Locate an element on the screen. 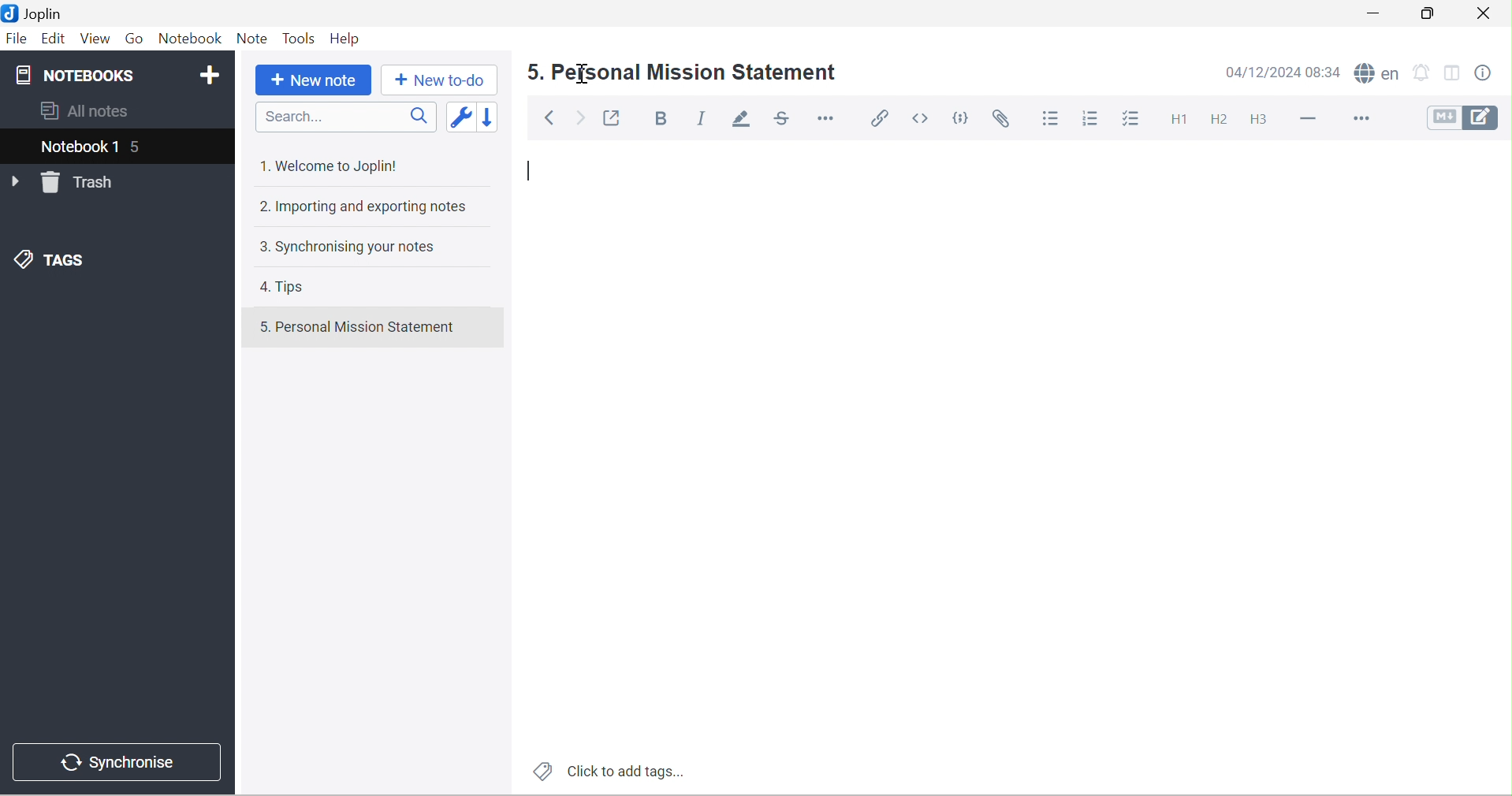 This screenshot has height=796, width=1512. Toggle sort order field is located at coordinates (460, 120).